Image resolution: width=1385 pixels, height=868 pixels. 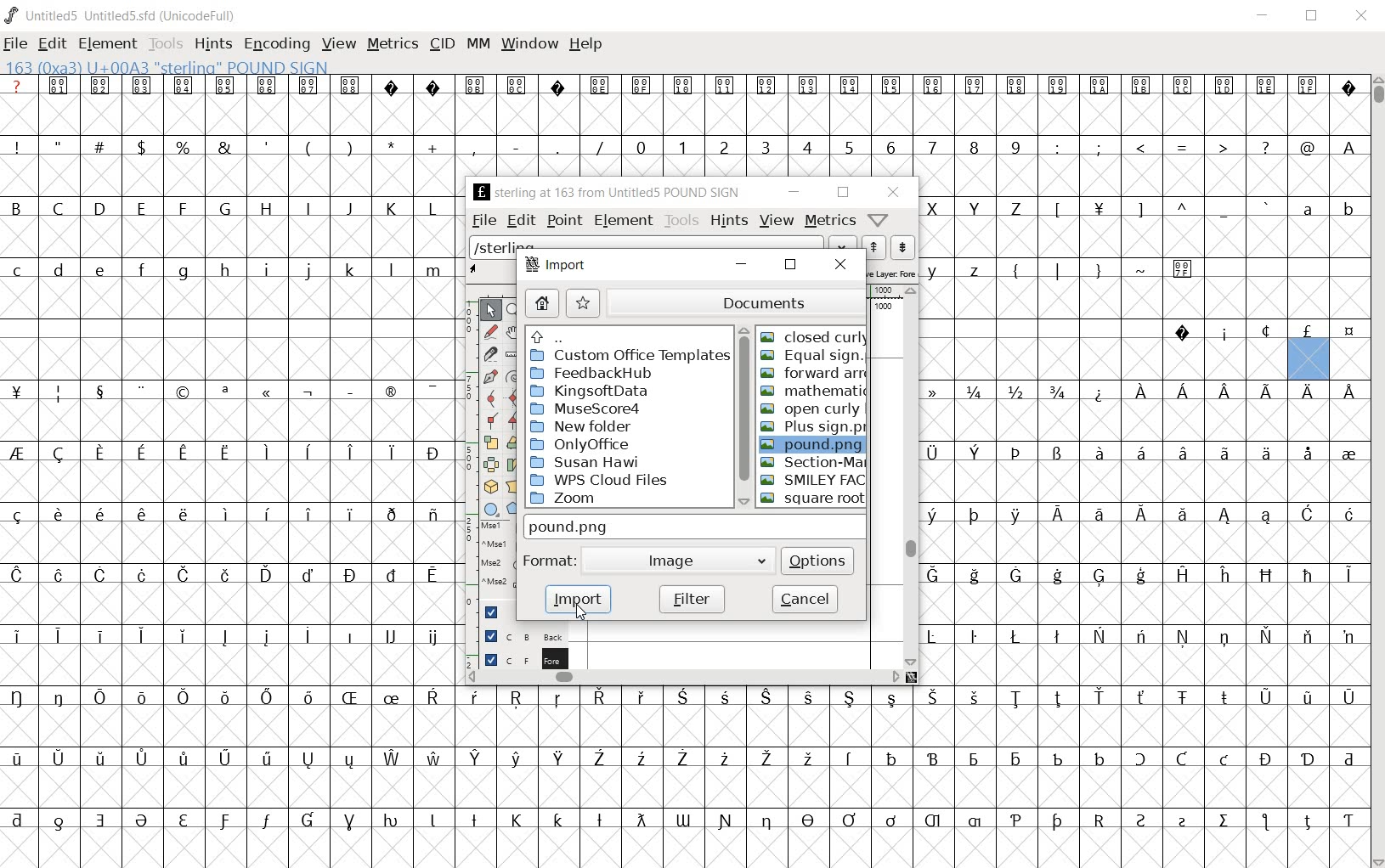 I want to click on Symbol, so click(x=1138, y=453).